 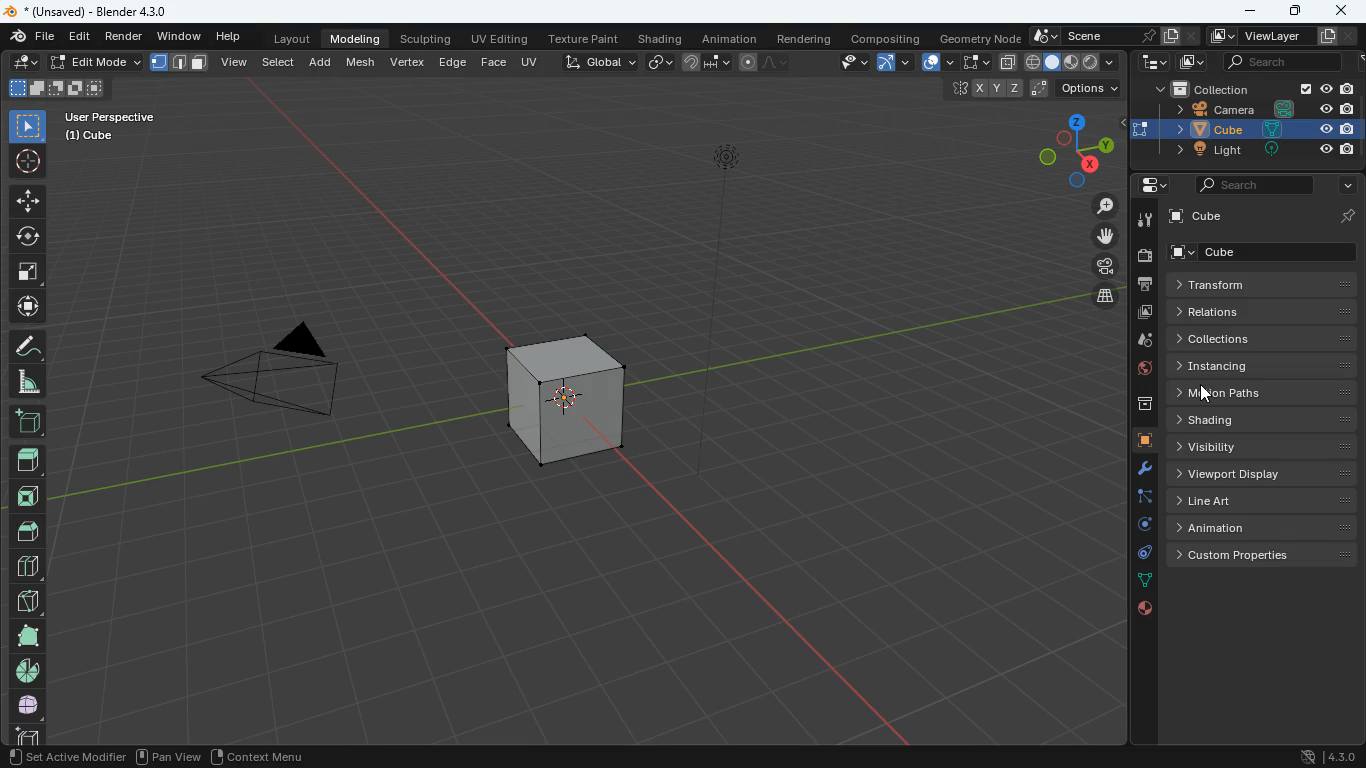 What do you see at coordinates (563, 394) in the screenshot?
I see `cube` at bounding box center [563, 394].